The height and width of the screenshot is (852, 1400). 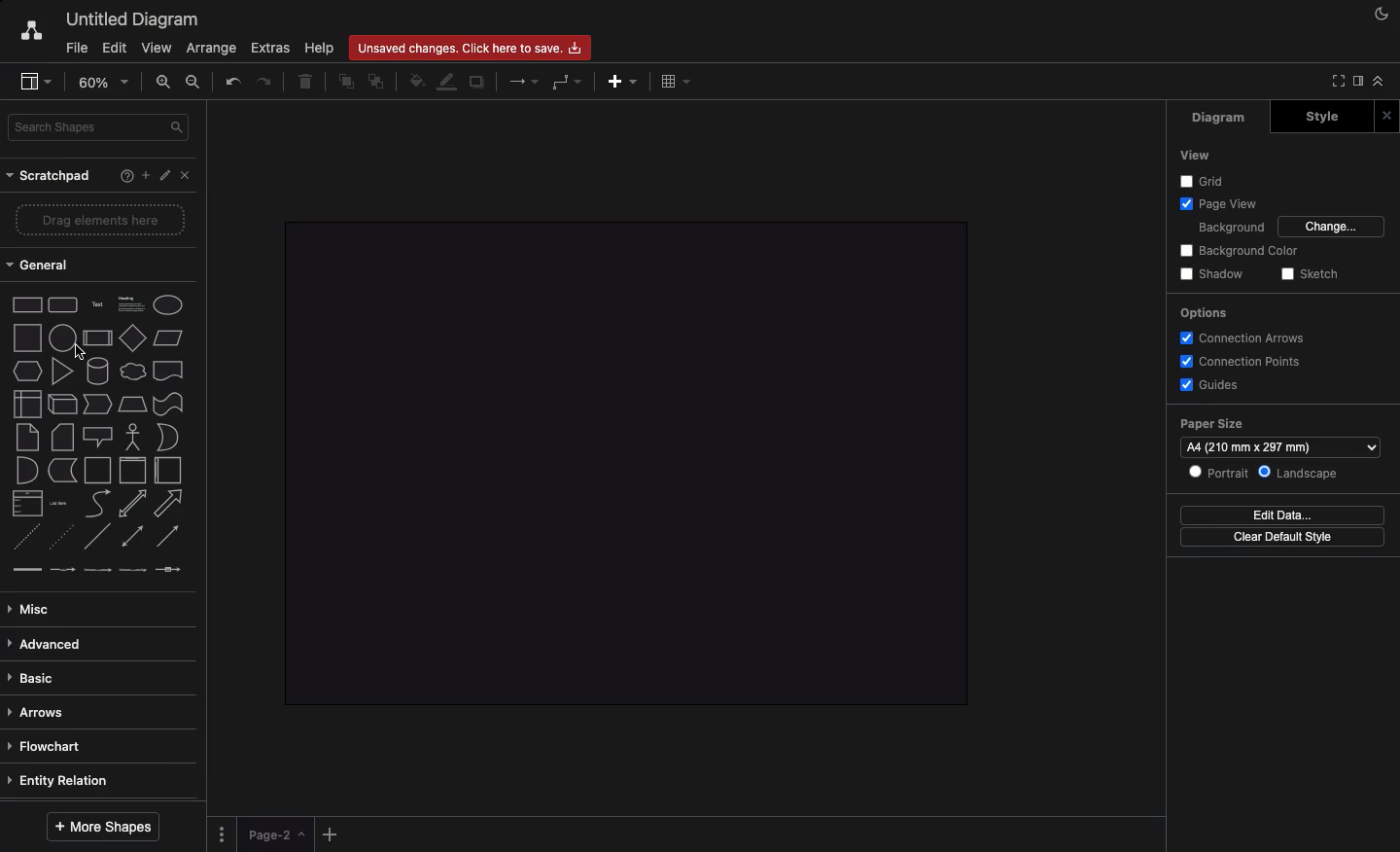 What do you see at coordinates (1242, 250) in the screenshot?
I see `Background color` at bounding box center [1242, 250].